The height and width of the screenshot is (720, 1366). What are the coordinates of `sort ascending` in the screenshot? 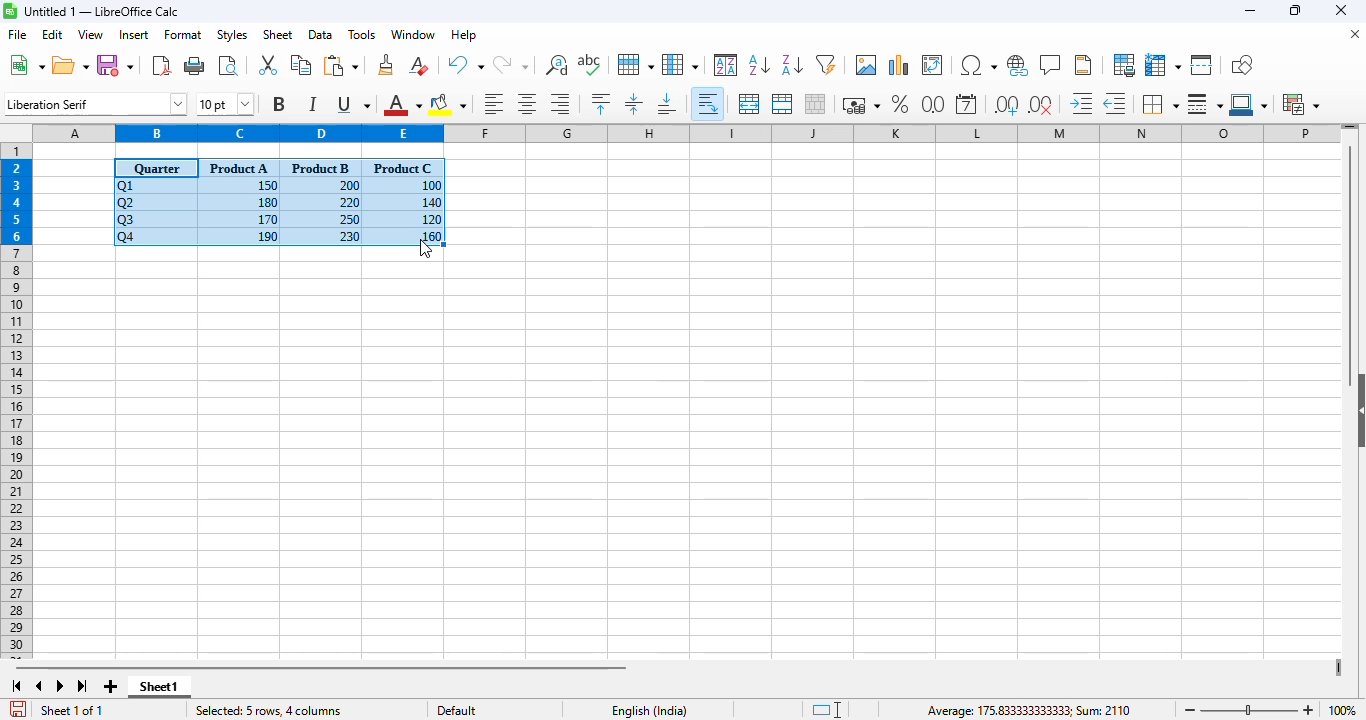 It's located at (760, 65).